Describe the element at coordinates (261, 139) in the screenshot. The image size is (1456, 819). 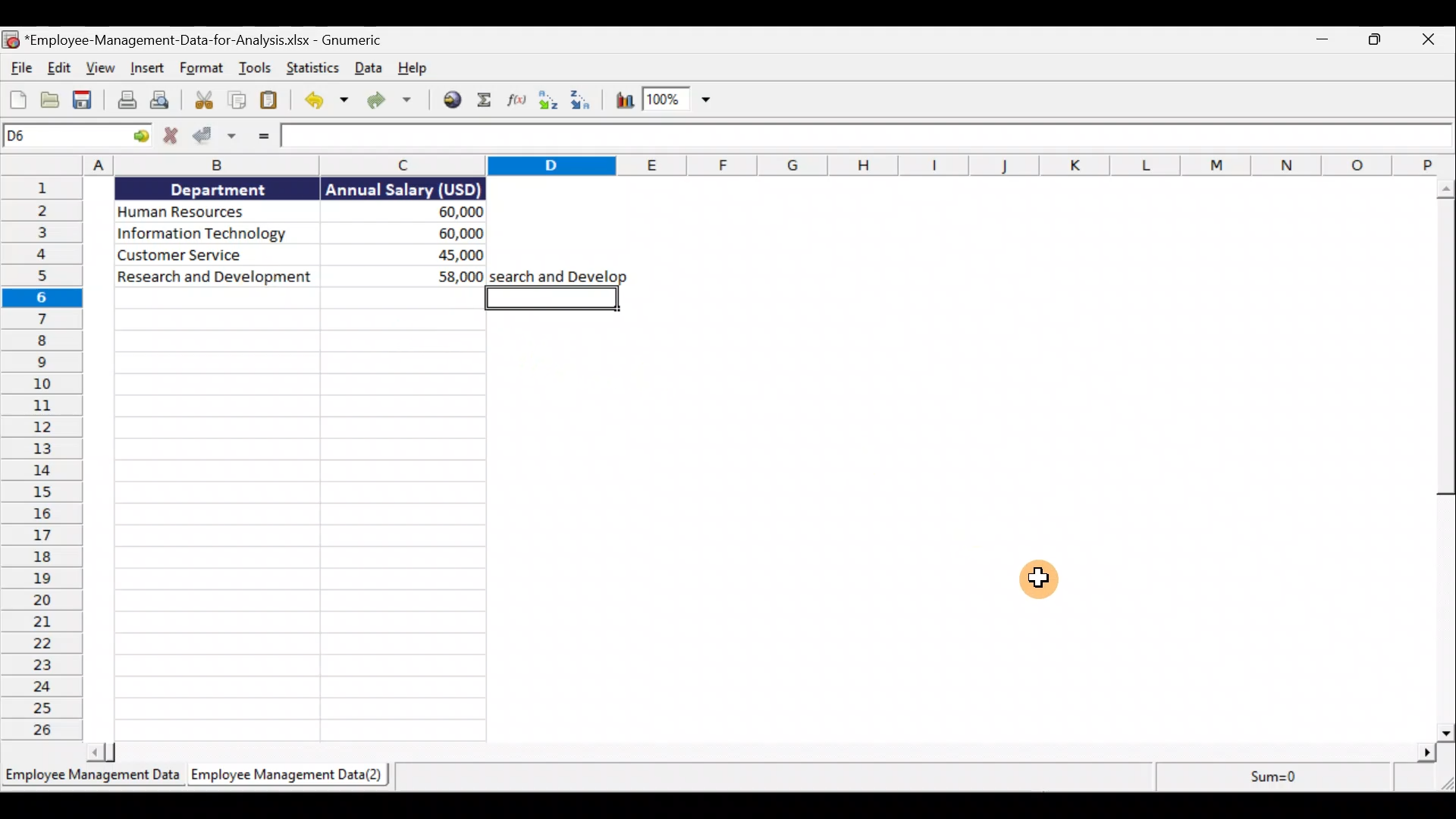
I see `Enter formula` at that location.